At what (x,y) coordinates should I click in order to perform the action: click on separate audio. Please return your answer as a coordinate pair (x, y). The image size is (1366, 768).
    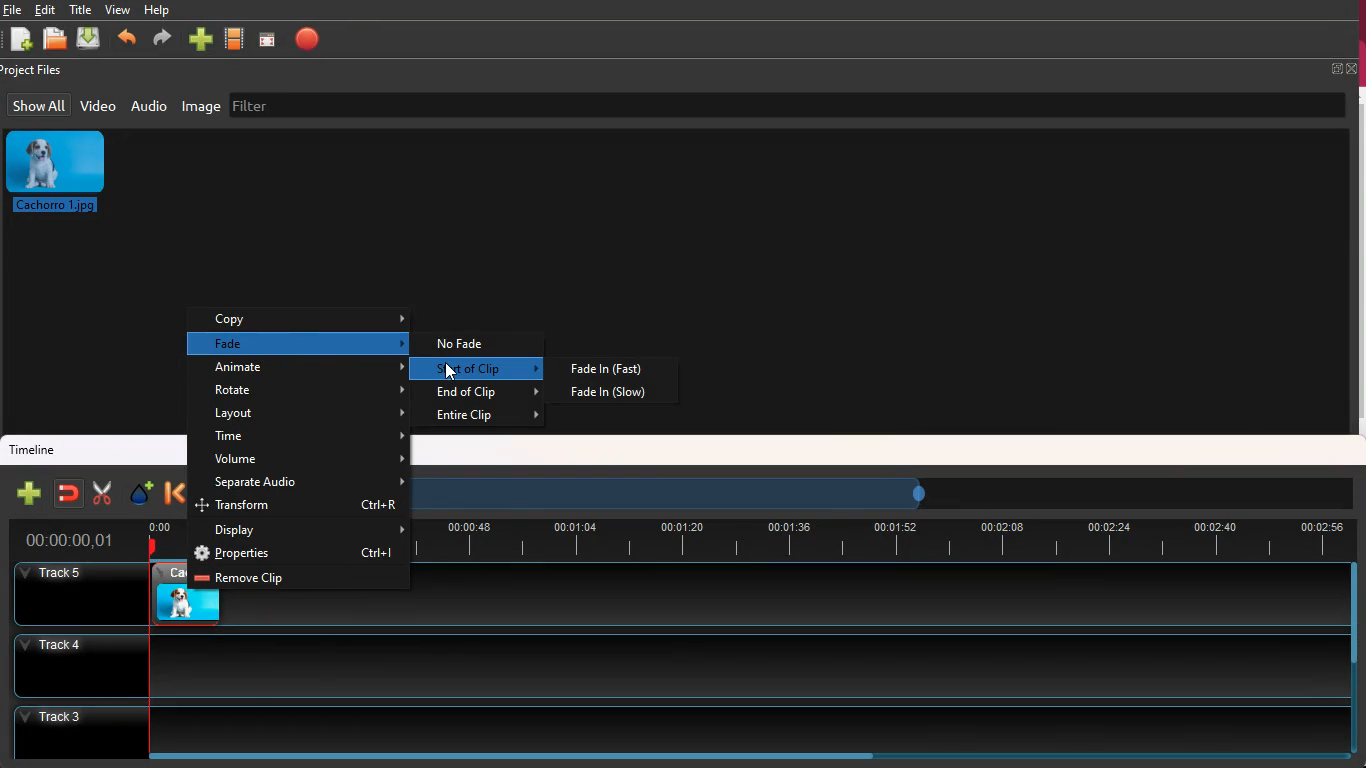
    Looking at the image, I should click on (301, 483).